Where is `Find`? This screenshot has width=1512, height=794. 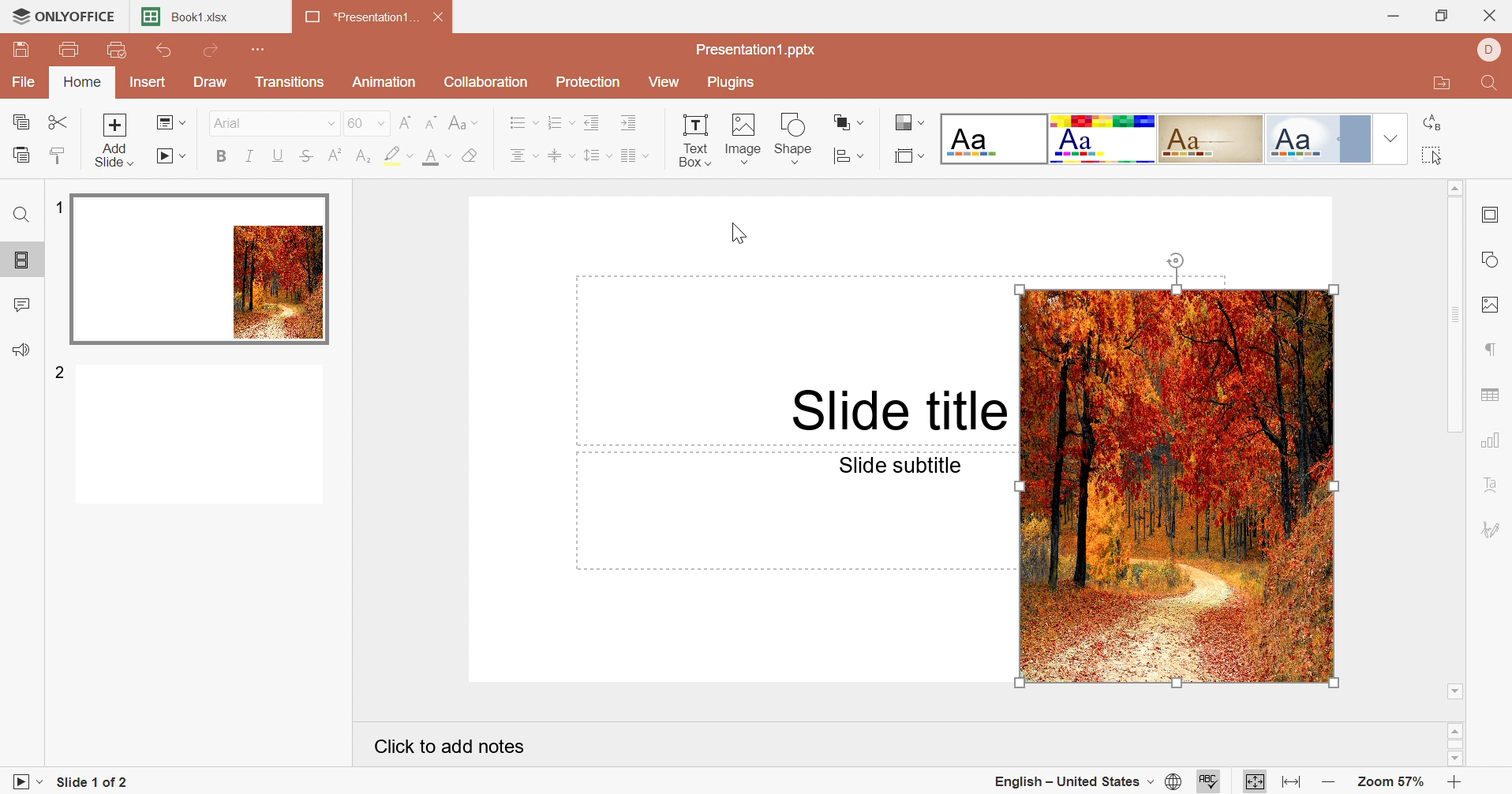
Find is located at coordinates (21, 217).